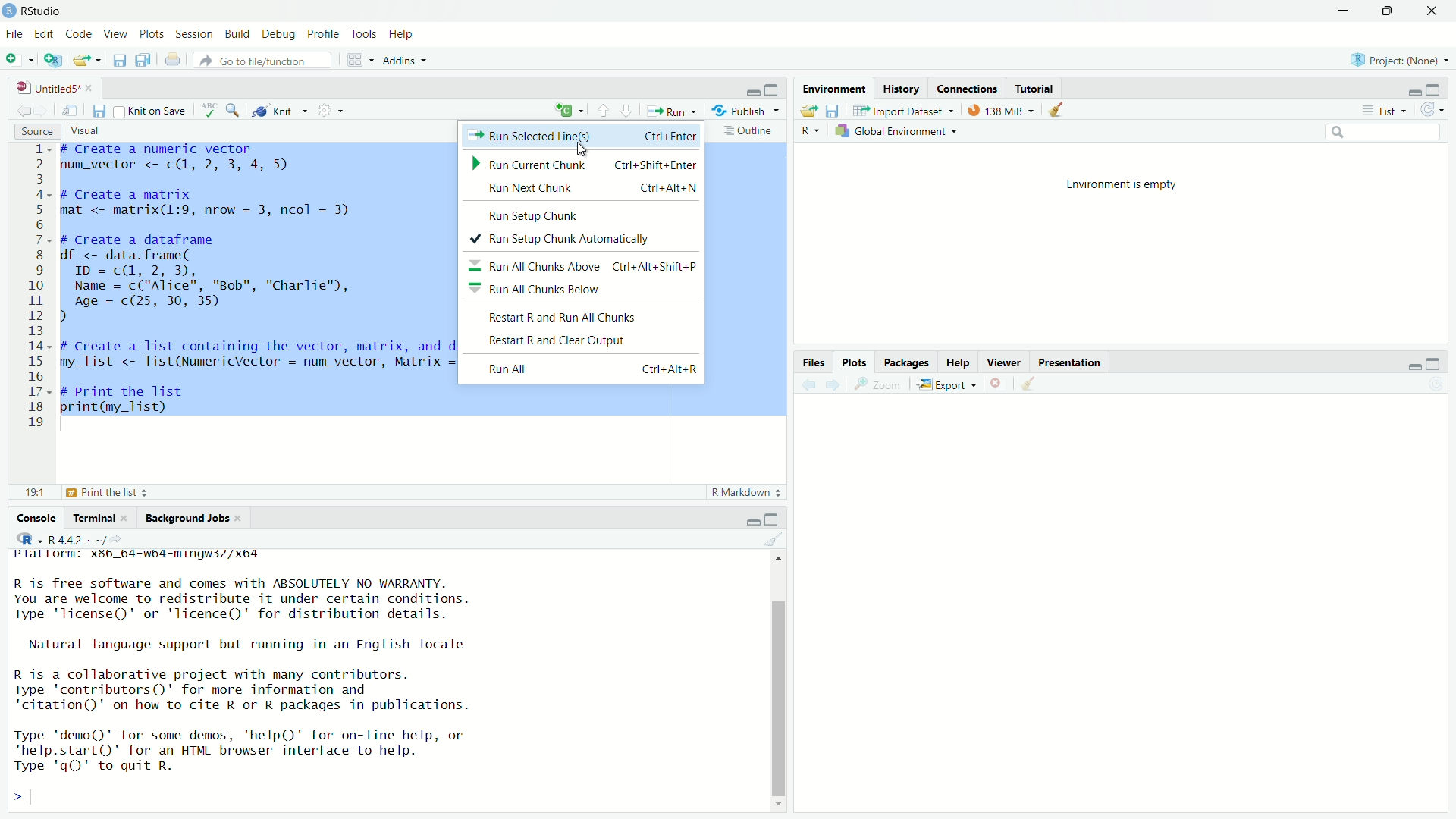  Describe the element at coordinates (240, 33) in the screenshot. I see `Build` at that location.